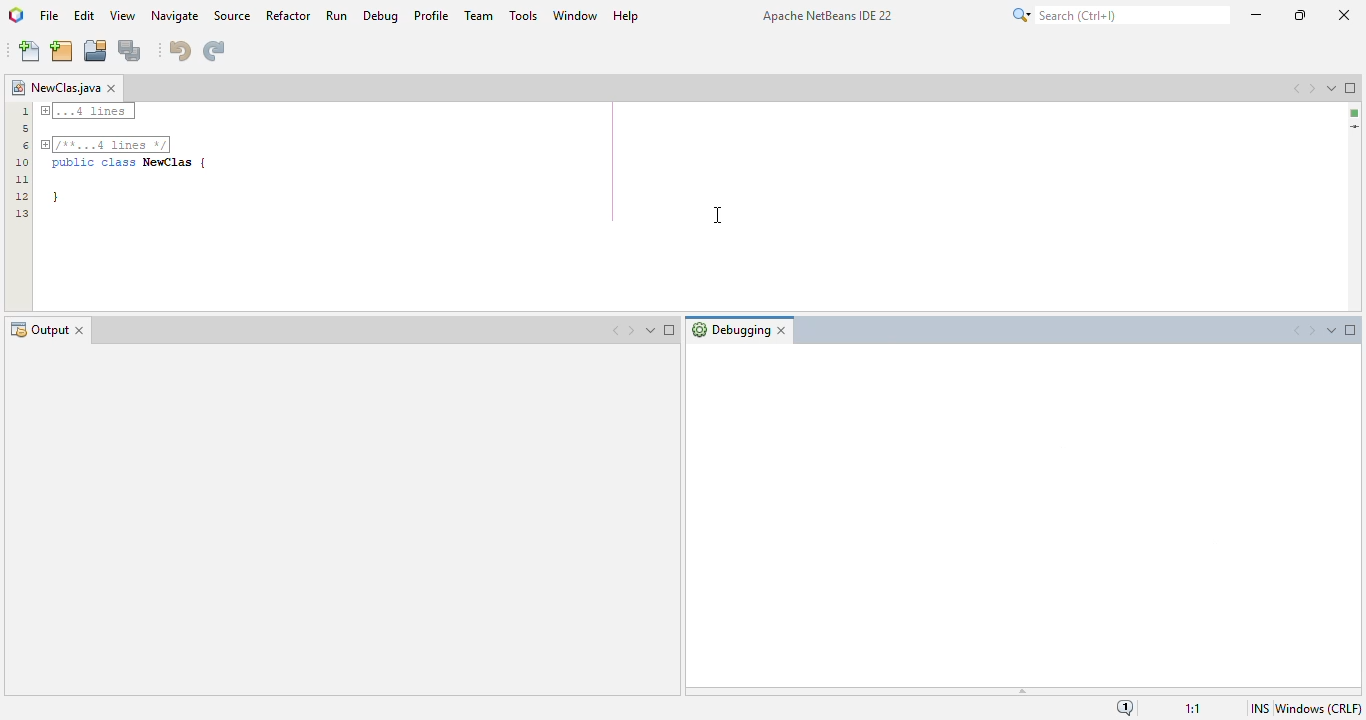 This screenshot has width=1366, height=720. What do you see at coordinates (608, 332) in the screenshot?
I see `Previous` at bounding box center [608, 332].